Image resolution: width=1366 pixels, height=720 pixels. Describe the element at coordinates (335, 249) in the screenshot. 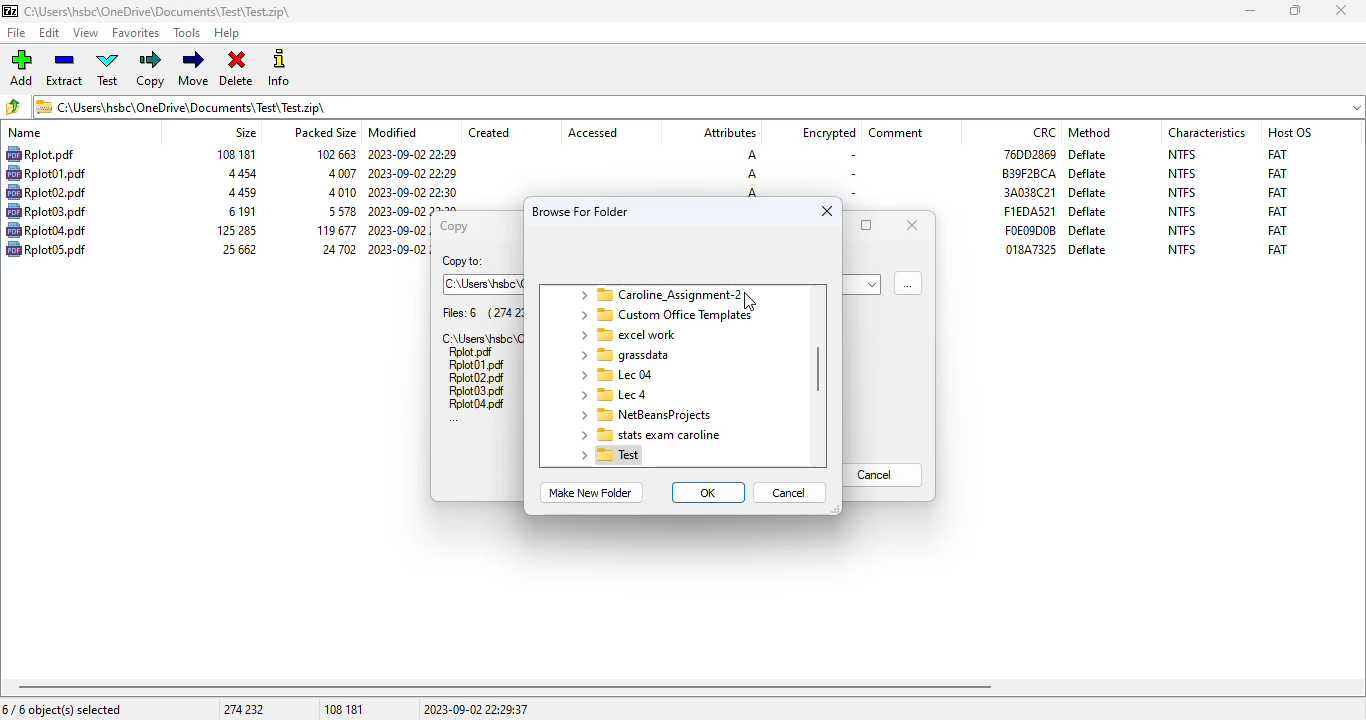

I see `packed size` at that location.